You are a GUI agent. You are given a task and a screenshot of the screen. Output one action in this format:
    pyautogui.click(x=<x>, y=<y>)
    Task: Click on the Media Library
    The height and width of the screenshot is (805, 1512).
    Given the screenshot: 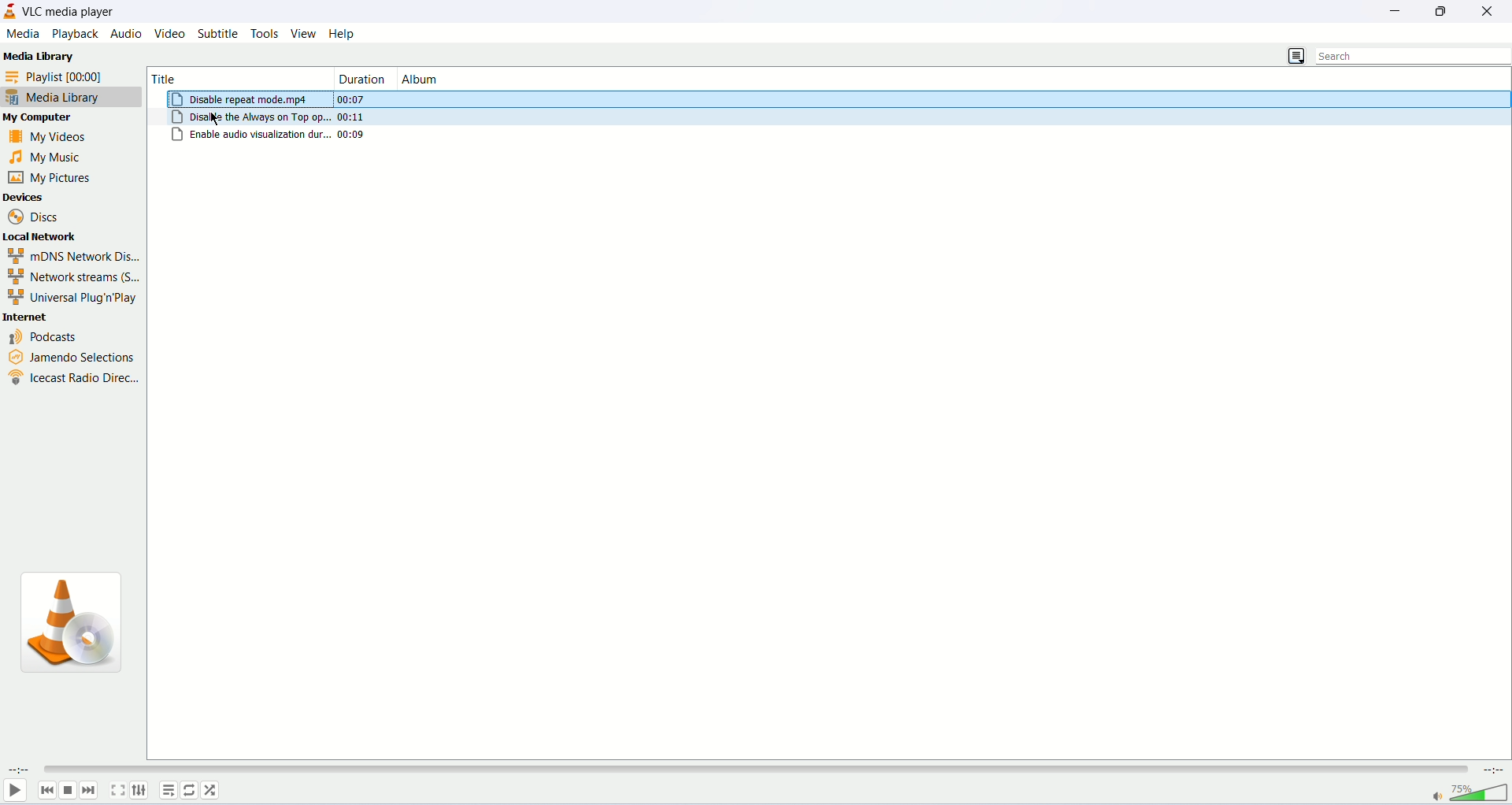 What is the action you would take?
    pyautogui.click(x=39, y=57)
    